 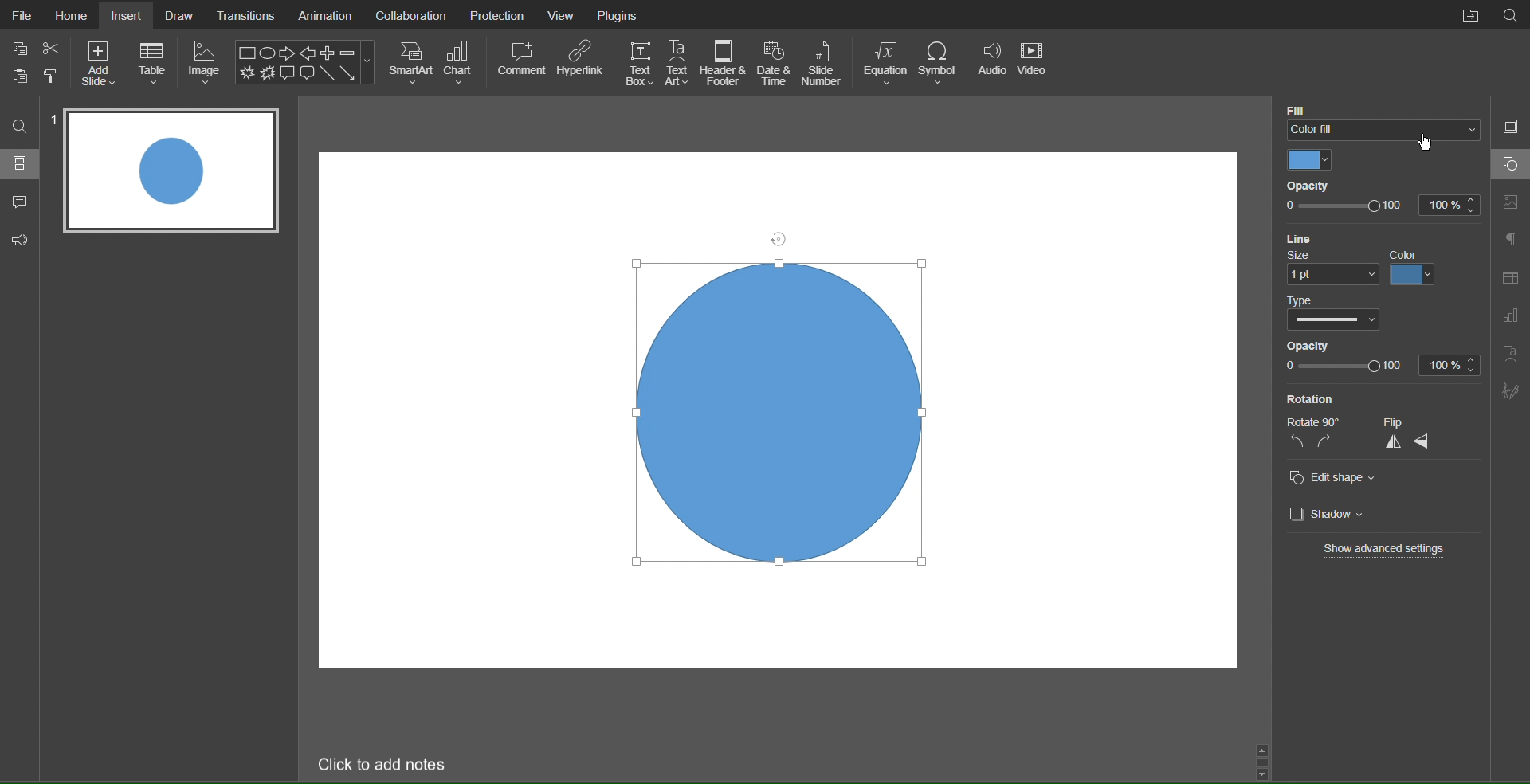 What do you see at coordinates (22, 165) in the screenshot?
I see `Slides` at bounding box center [22, 165].